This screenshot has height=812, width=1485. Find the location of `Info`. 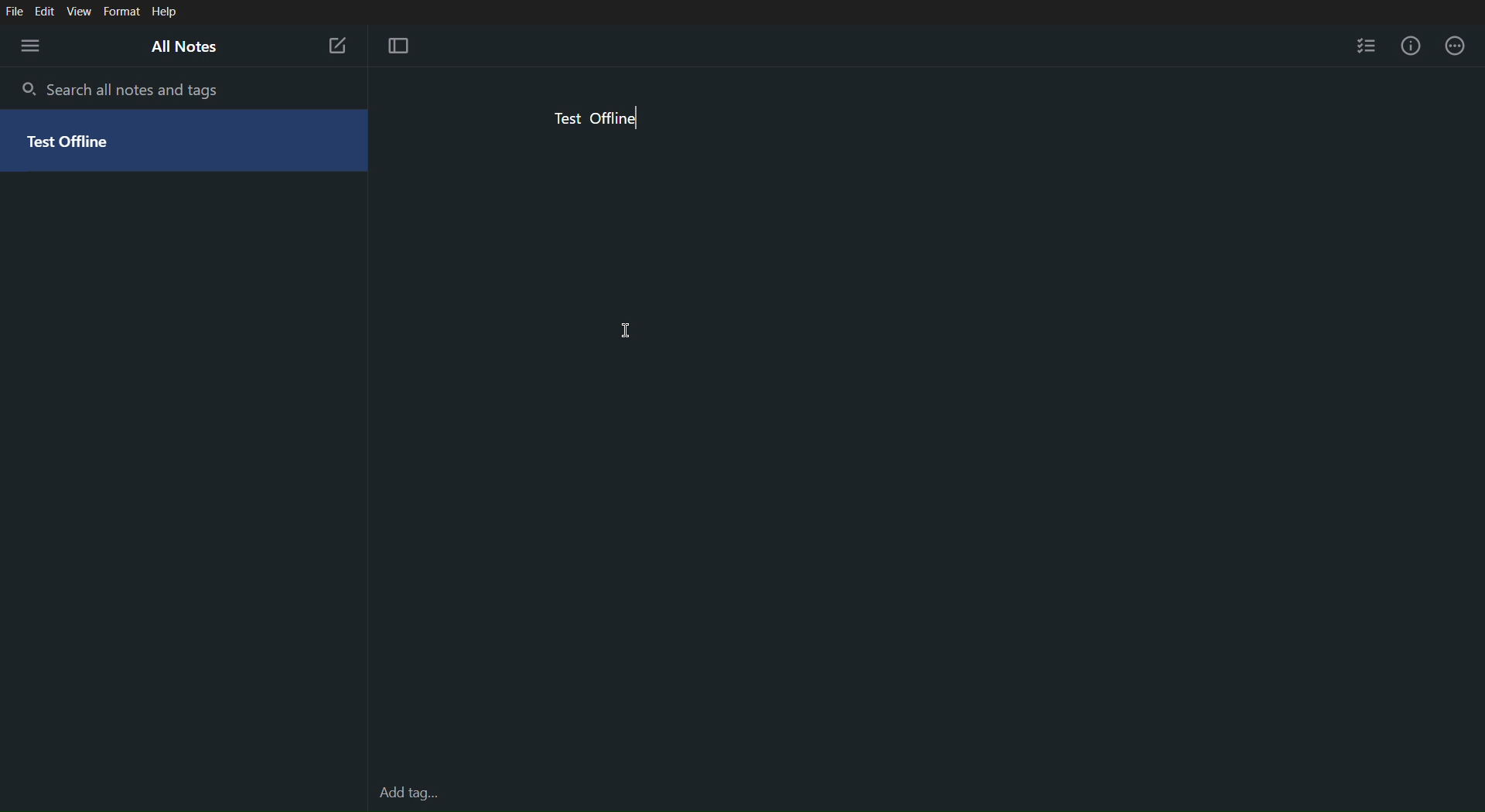

Info is located at coordinates (1411, 48).